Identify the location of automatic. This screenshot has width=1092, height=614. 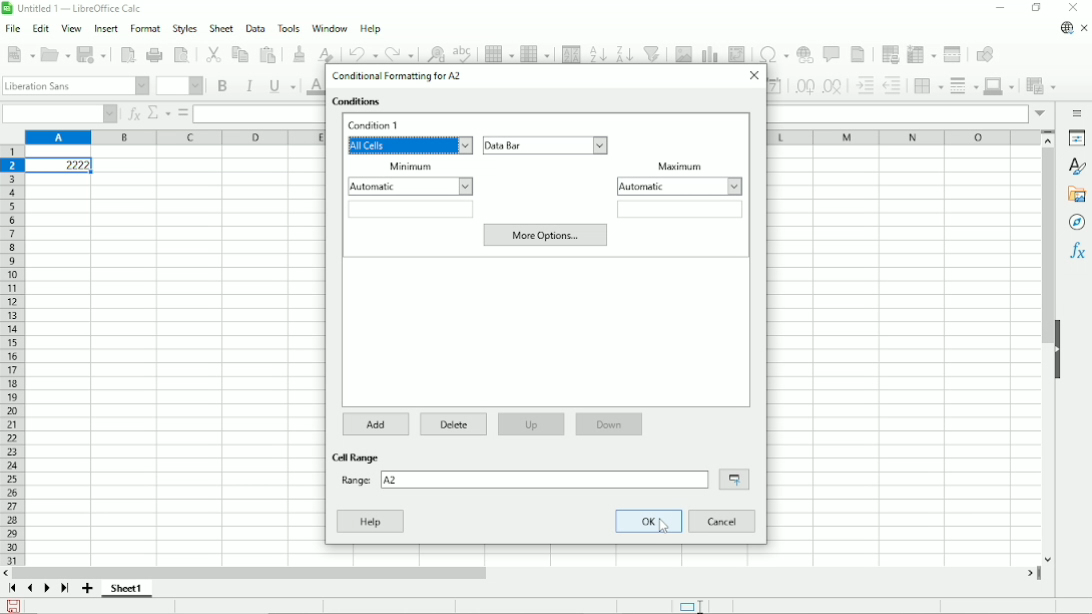
(681, 186).